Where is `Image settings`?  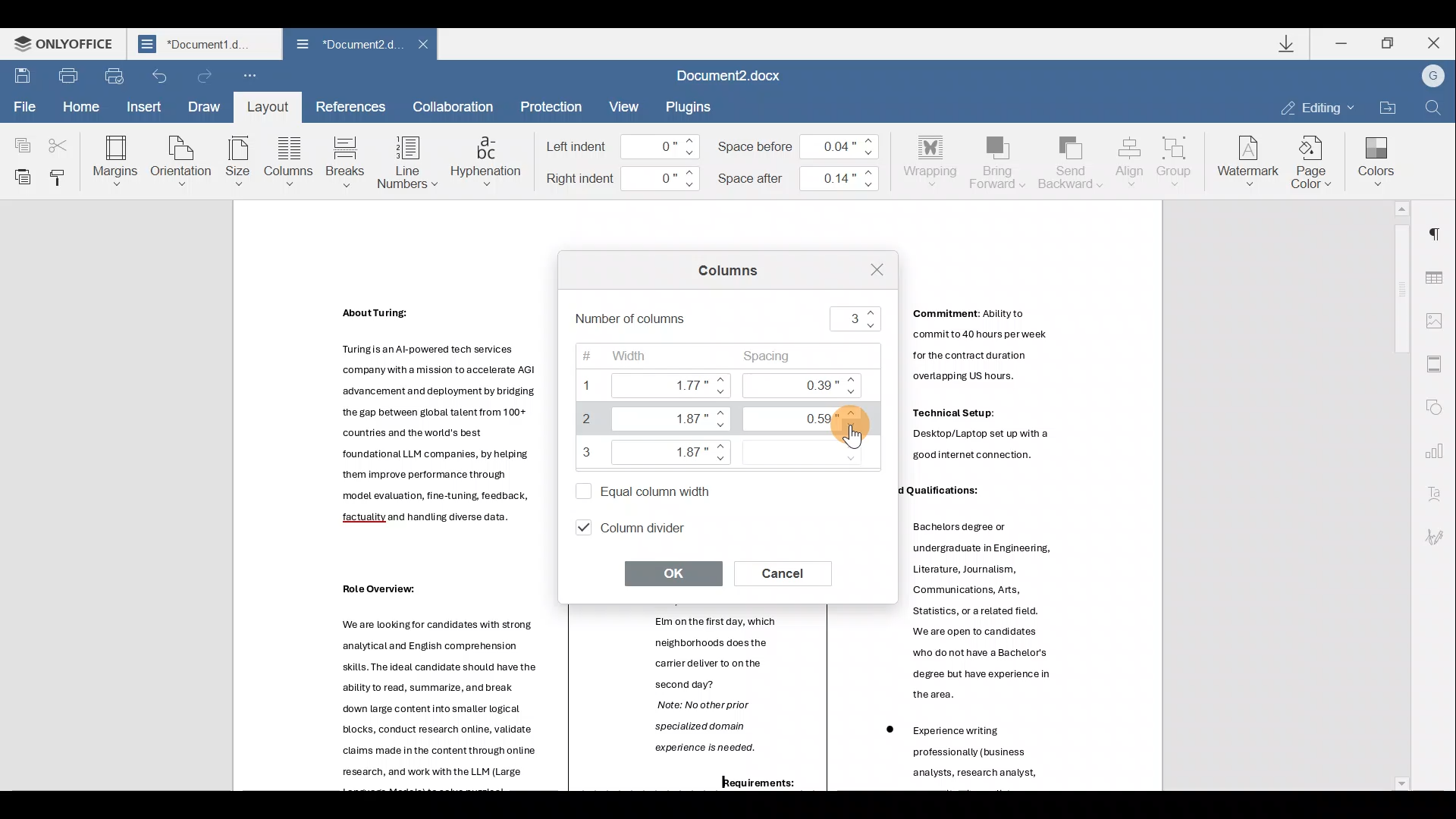
Image settings is located at coordinates (1439, 319).